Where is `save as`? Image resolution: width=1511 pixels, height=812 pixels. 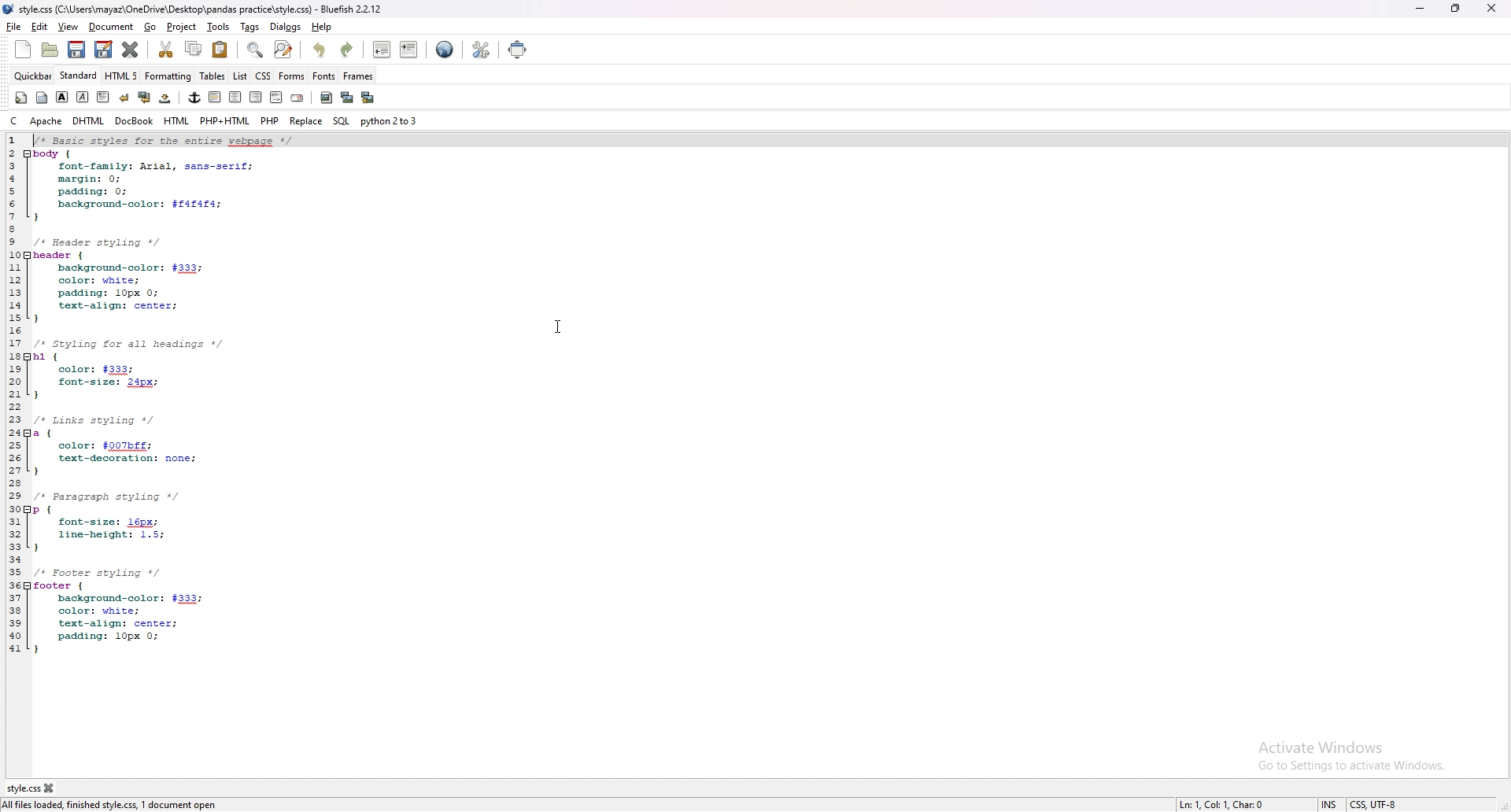 save as is located at coordinates (105, 49).